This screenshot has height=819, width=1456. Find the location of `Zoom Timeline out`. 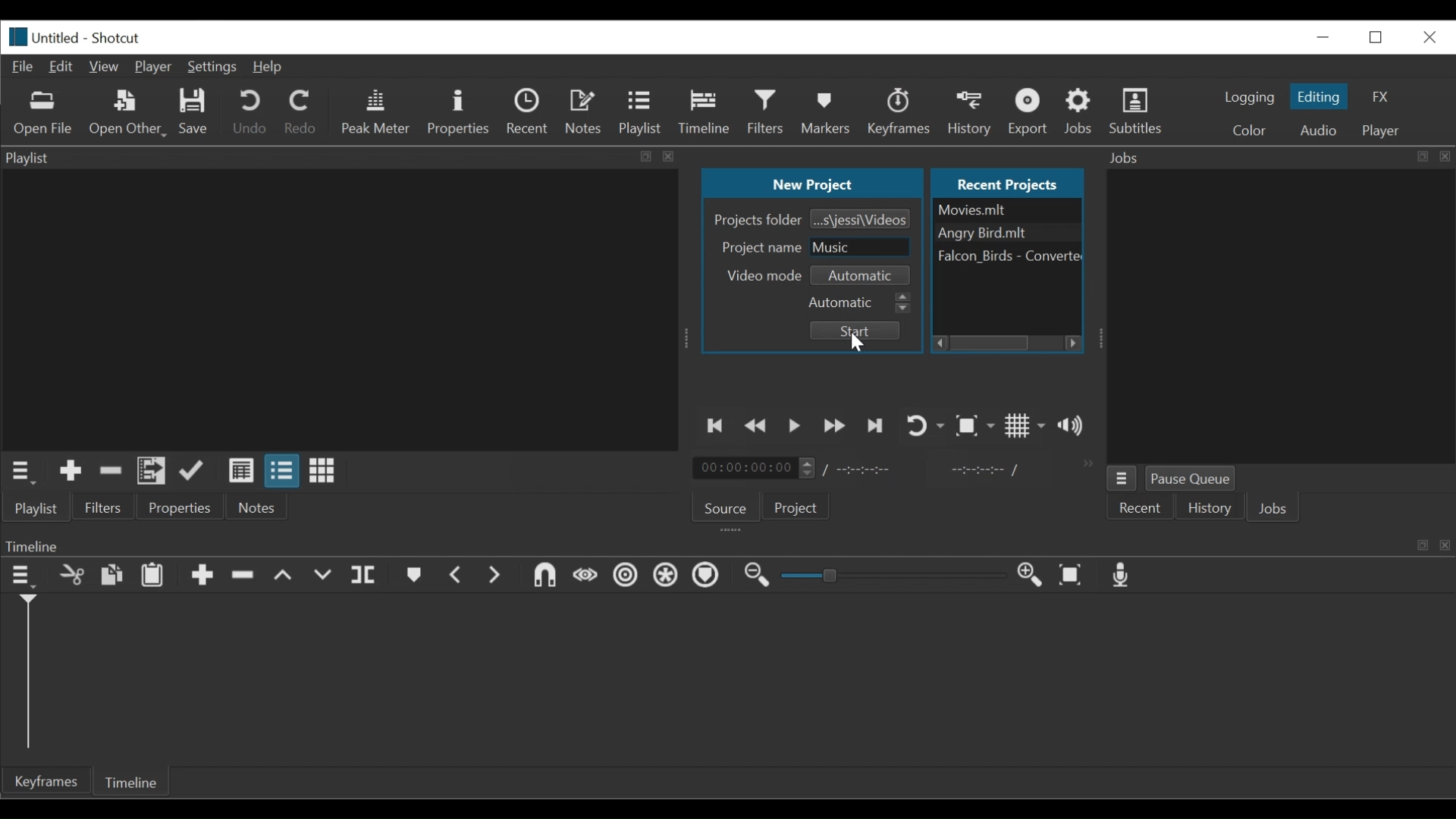

Zoom Timeline out is located at coordinates (756, 576).